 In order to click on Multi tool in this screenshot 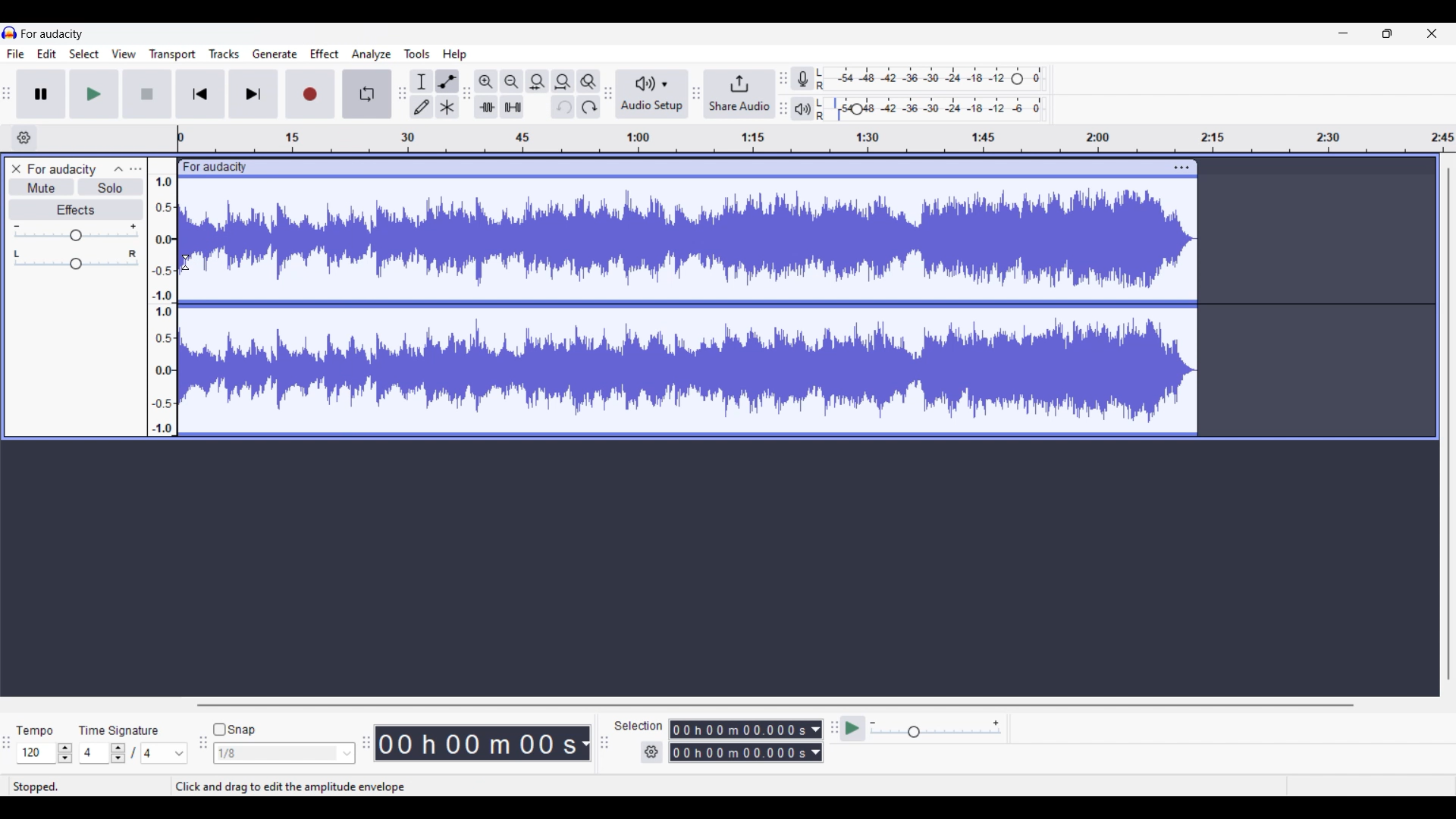, I will do `click(447, 107)`.